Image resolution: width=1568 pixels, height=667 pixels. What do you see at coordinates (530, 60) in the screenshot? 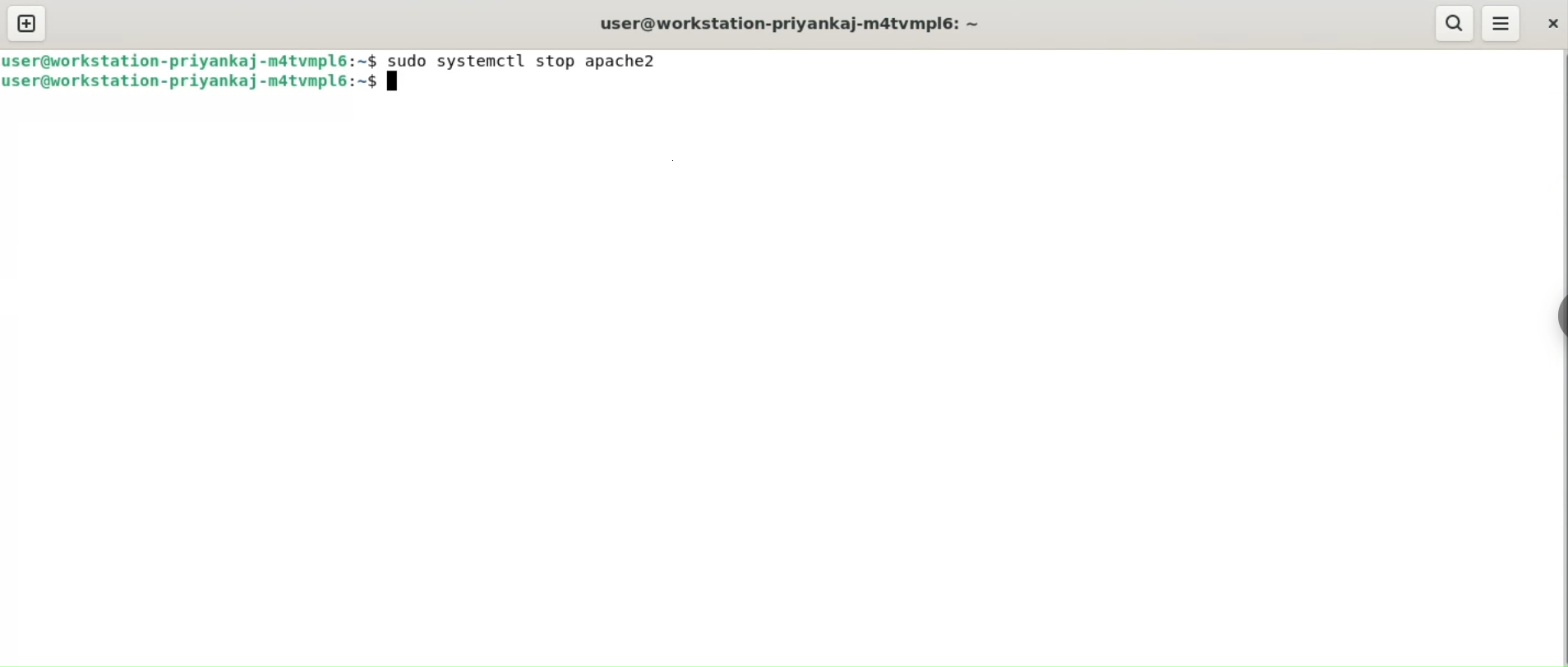
I see `sudo systemctl stop apache2` at bounding box center [530, 60].